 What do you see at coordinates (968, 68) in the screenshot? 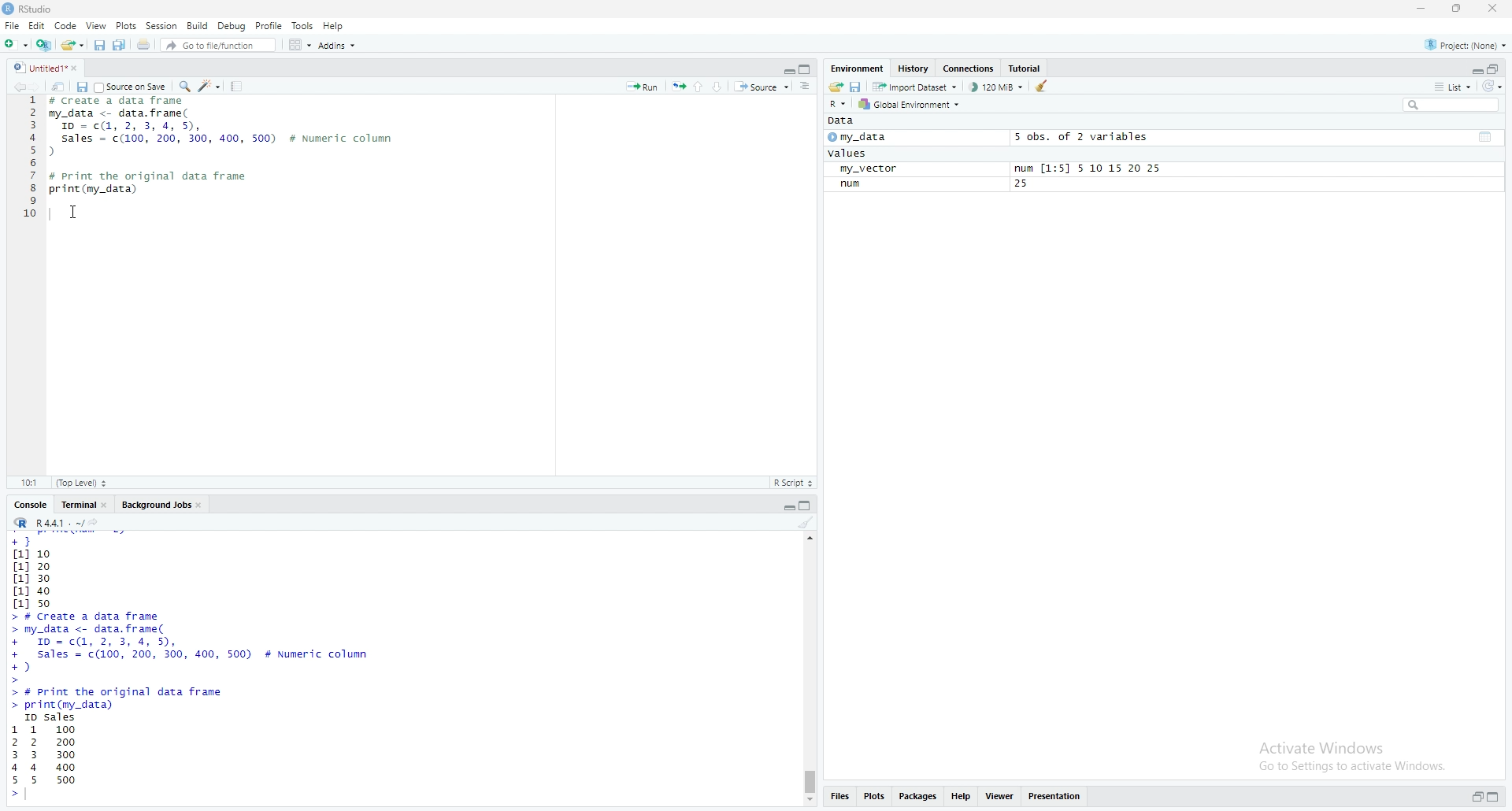
I see `Connections` at bounding box center [968, 68].